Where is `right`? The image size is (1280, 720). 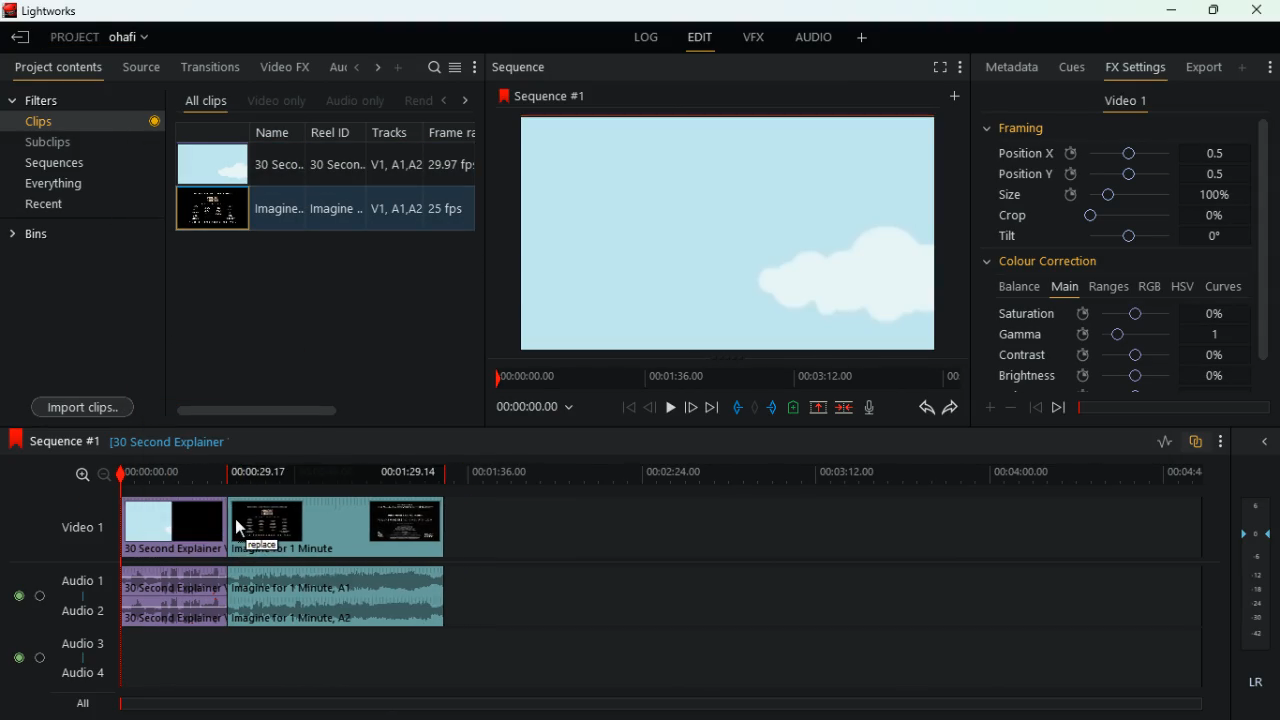 right is located at coordinates (466, 101).